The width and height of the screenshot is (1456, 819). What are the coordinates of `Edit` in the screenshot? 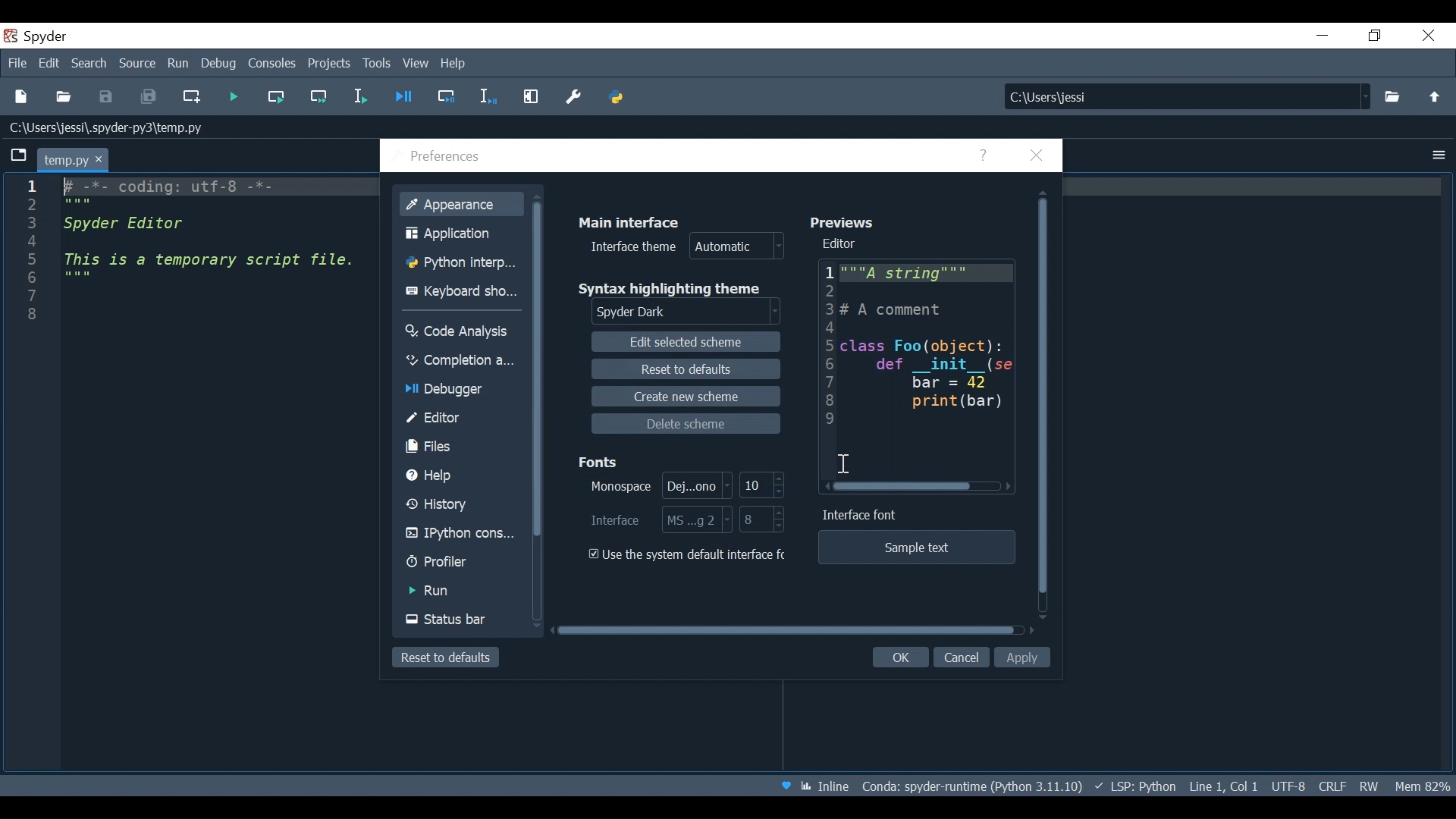 It's located at (51, 64).